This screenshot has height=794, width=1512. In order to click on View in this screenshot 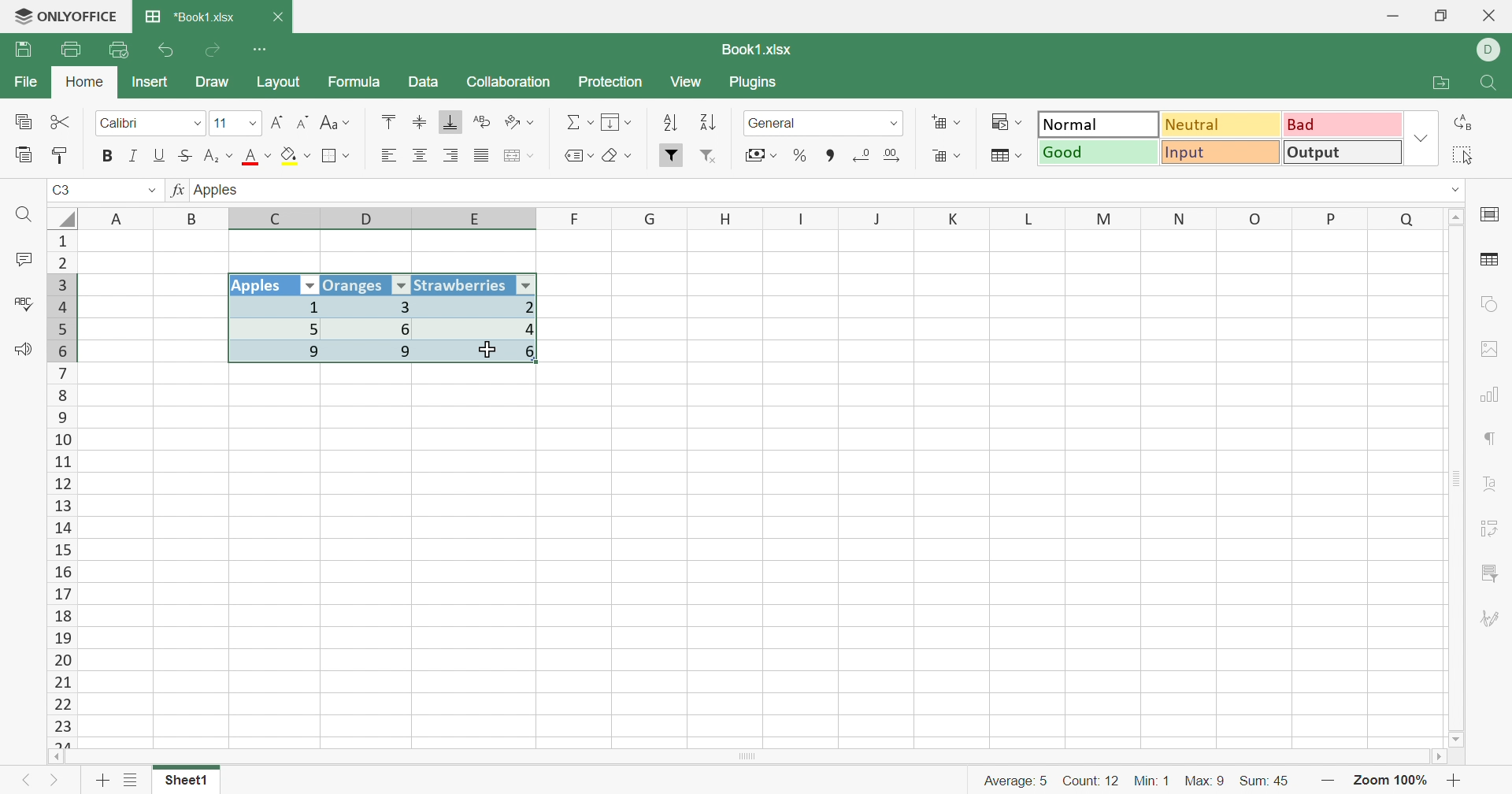, I will do `click(688, 83)`.